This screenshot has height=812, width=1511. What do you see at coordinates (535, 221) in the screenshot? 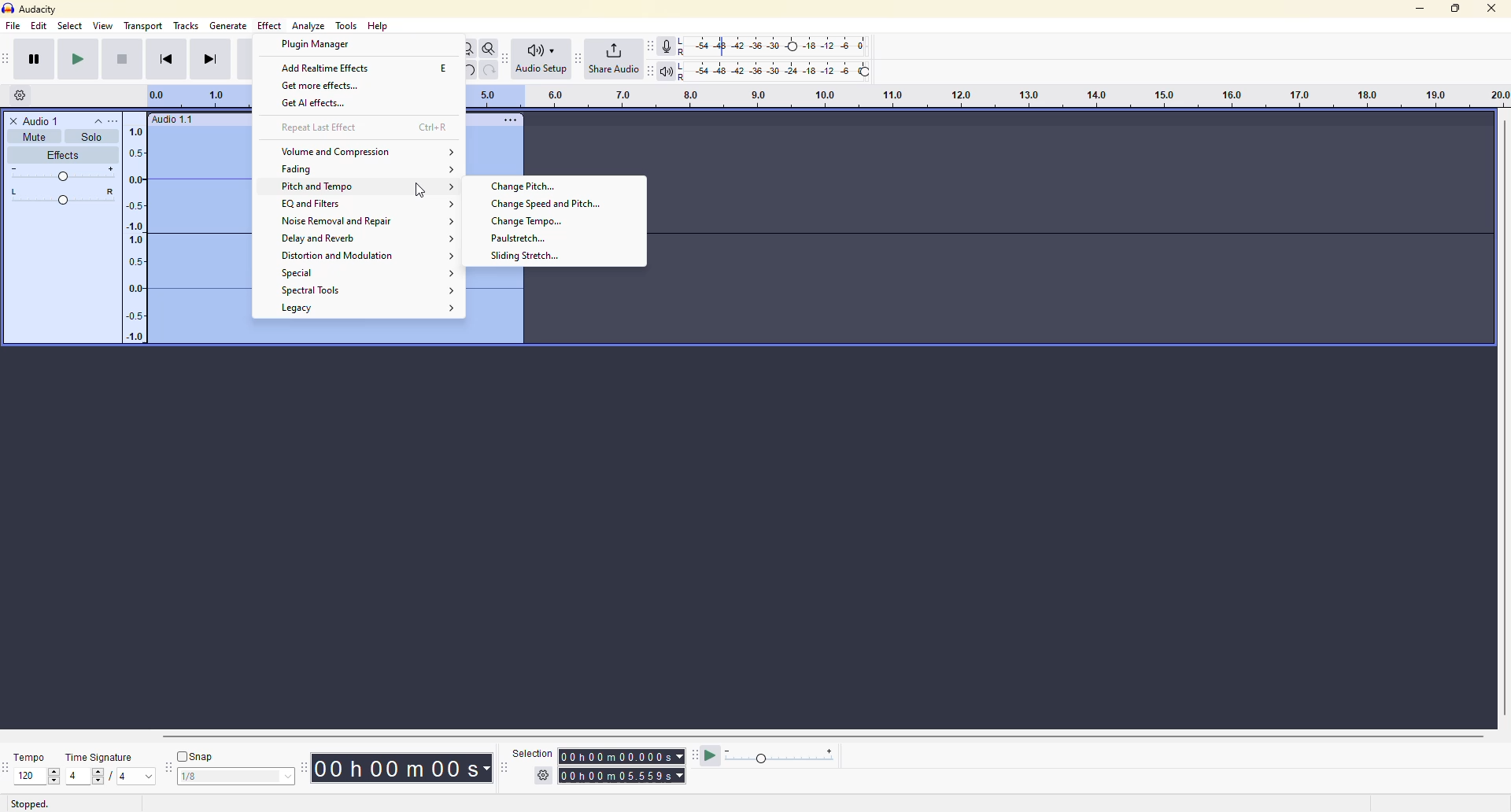
I see `change tempo` at bounding box center [535, 221].